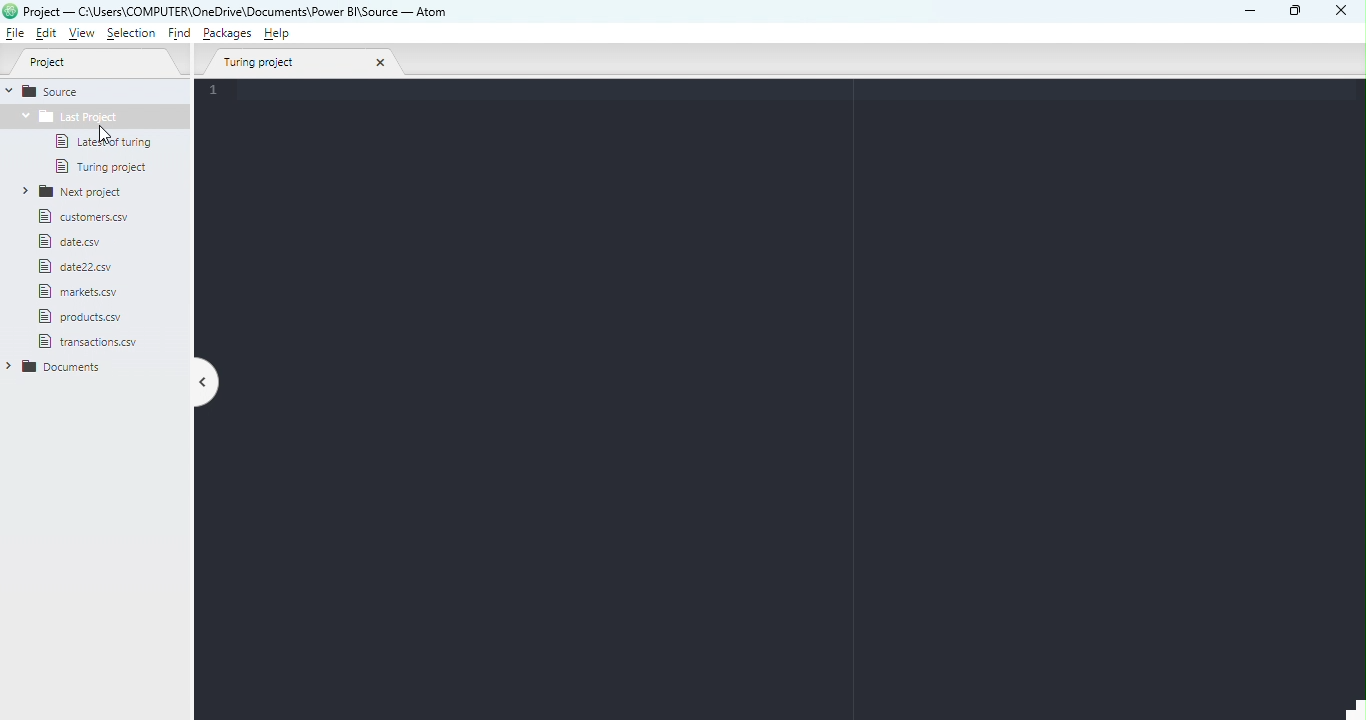  Describe the element at coordinates (81, 315) in the screenshot. I see `File` at that location.